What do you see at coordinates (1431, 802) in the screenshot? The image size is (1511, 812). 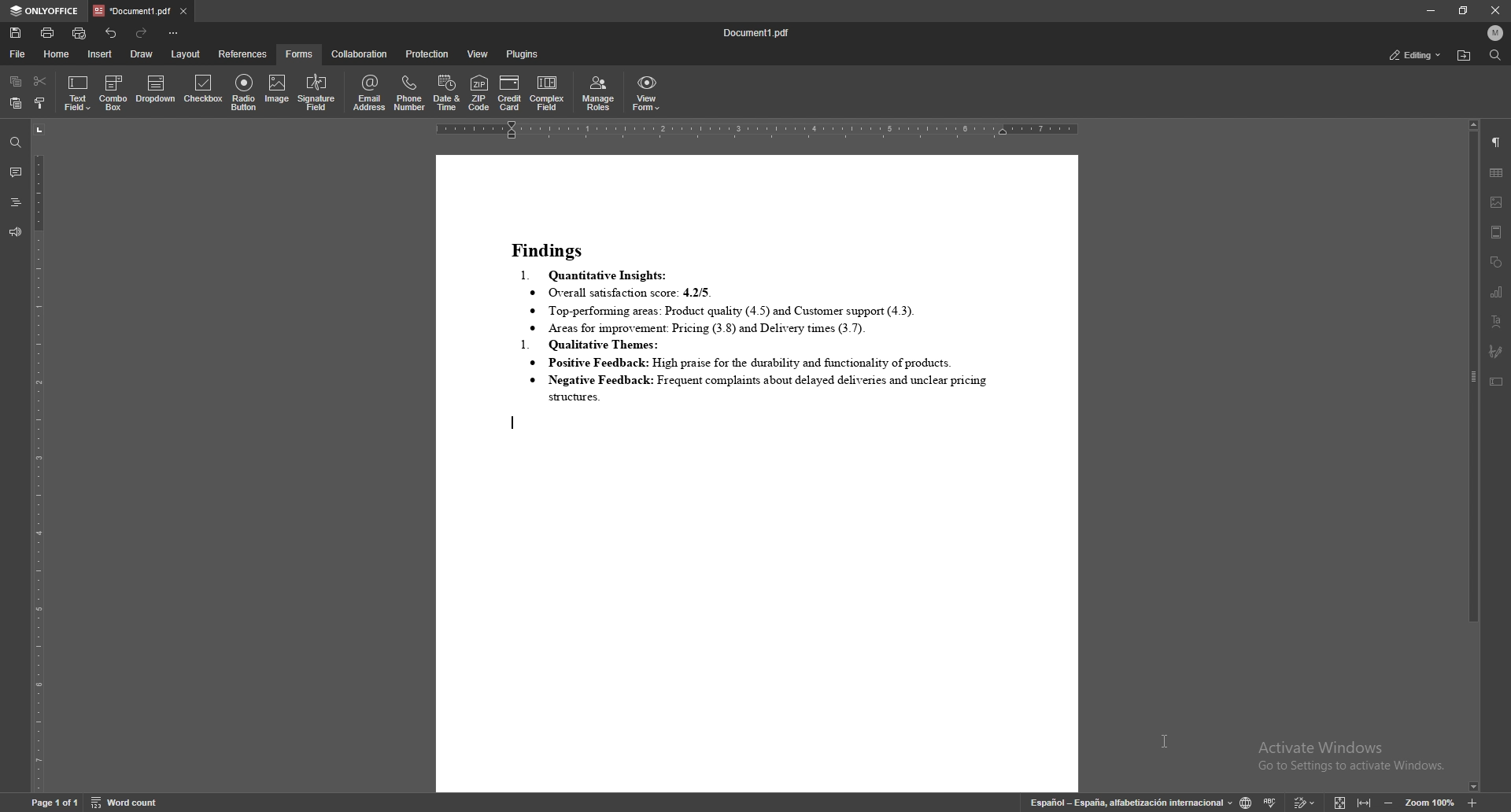 I see `zoom` at bounding box center [1431, 802].